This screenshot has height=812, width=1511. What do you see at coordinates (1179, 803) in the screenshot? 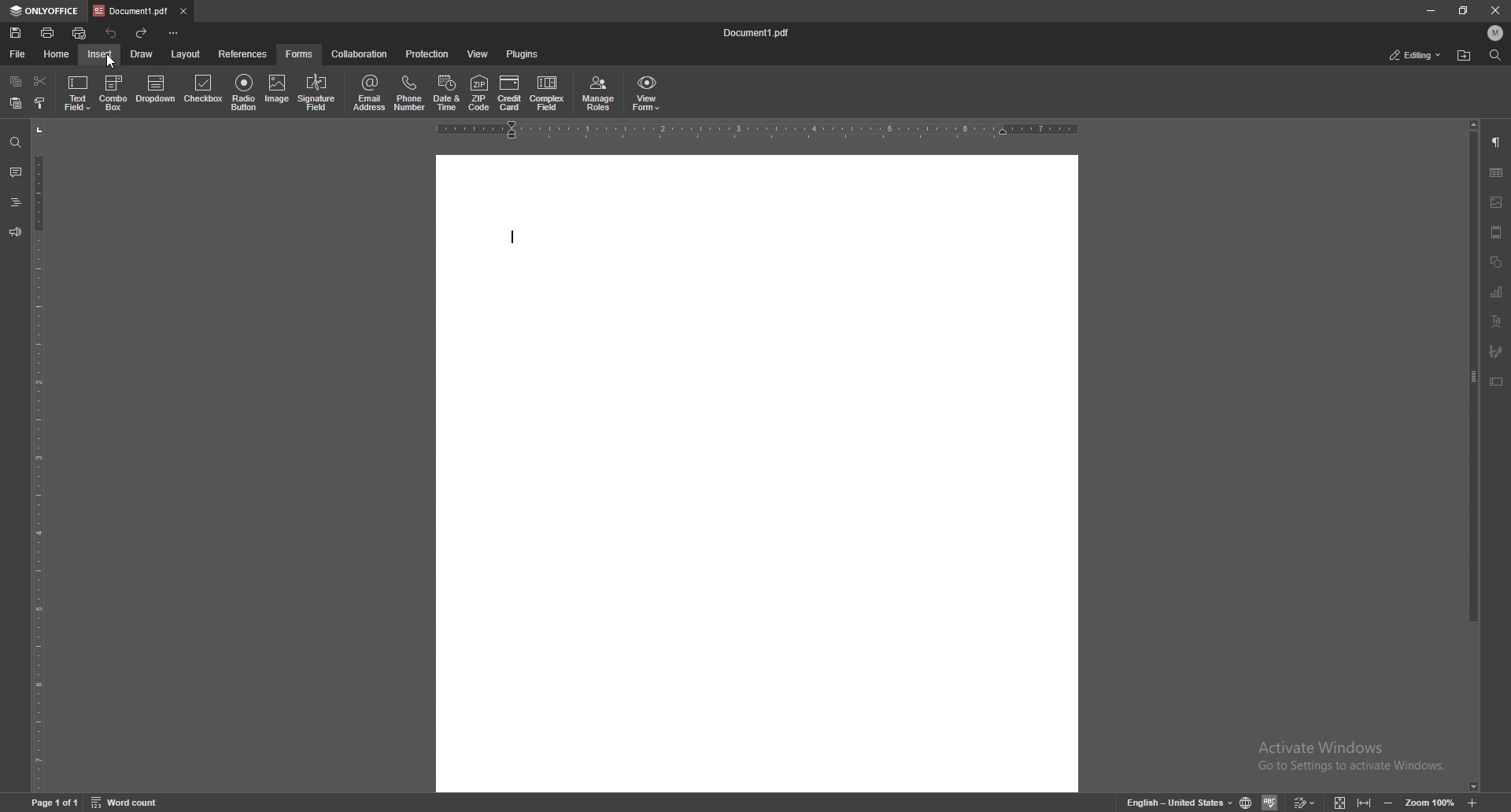
I see `change text language` at bounding box center [1179, 803].